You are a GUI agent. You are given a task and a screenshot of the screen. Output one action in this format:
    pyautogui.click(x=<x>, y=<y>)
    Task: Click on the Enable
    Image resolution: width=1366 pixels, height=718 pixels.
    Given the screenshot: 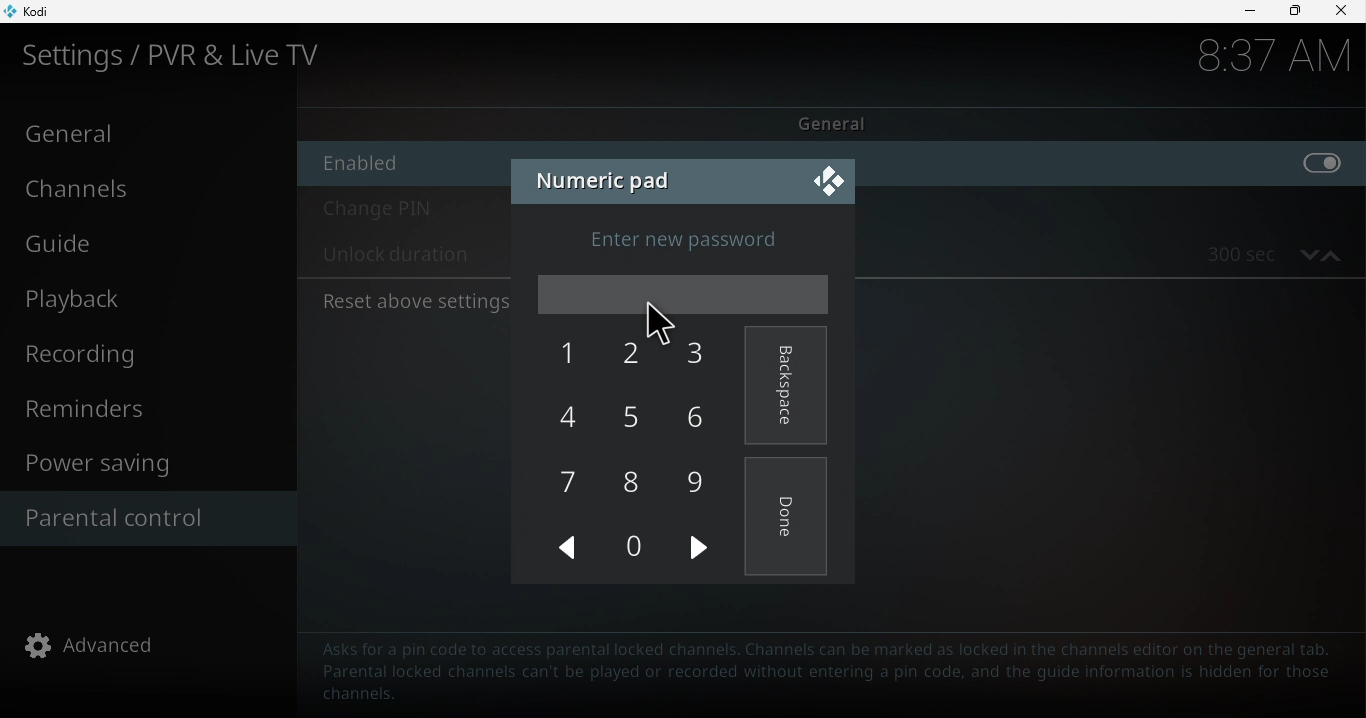 What is the action you would take?
    pyautogui.click(x=396, y=163)
    